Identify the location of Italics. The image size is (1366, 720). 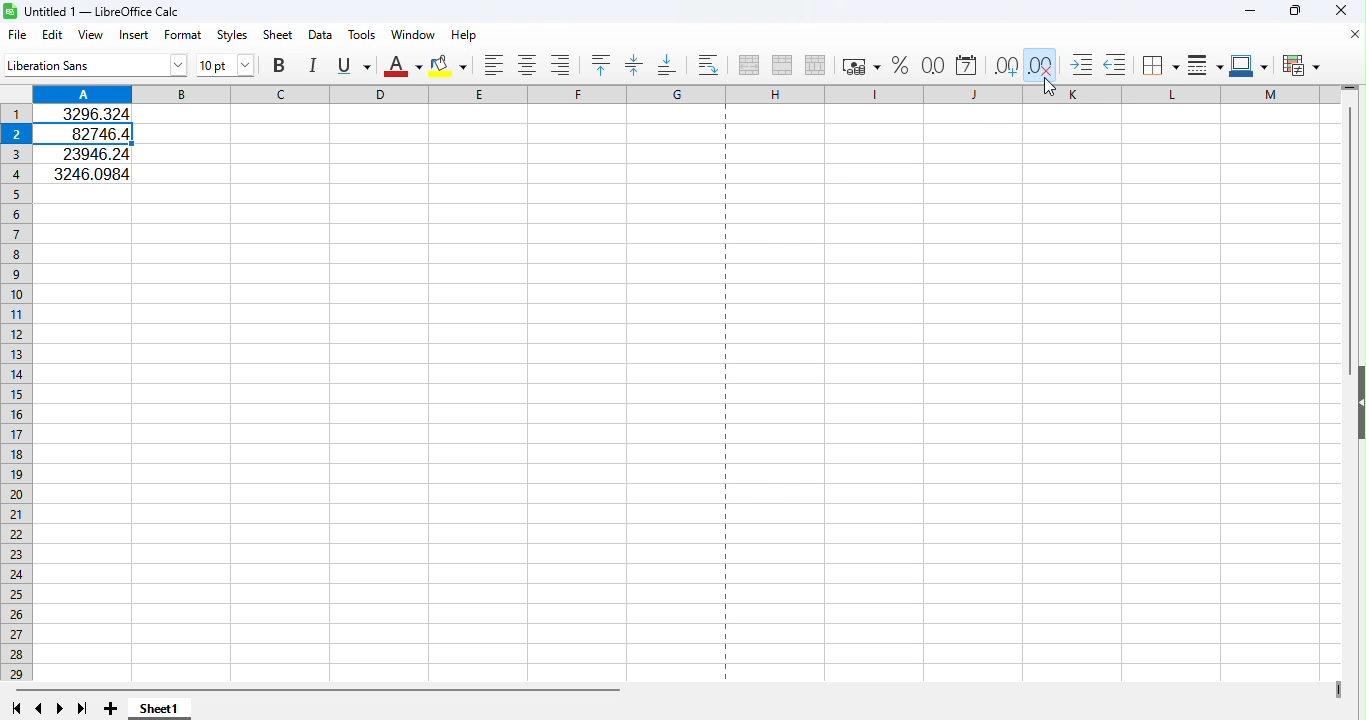
(311, 68).